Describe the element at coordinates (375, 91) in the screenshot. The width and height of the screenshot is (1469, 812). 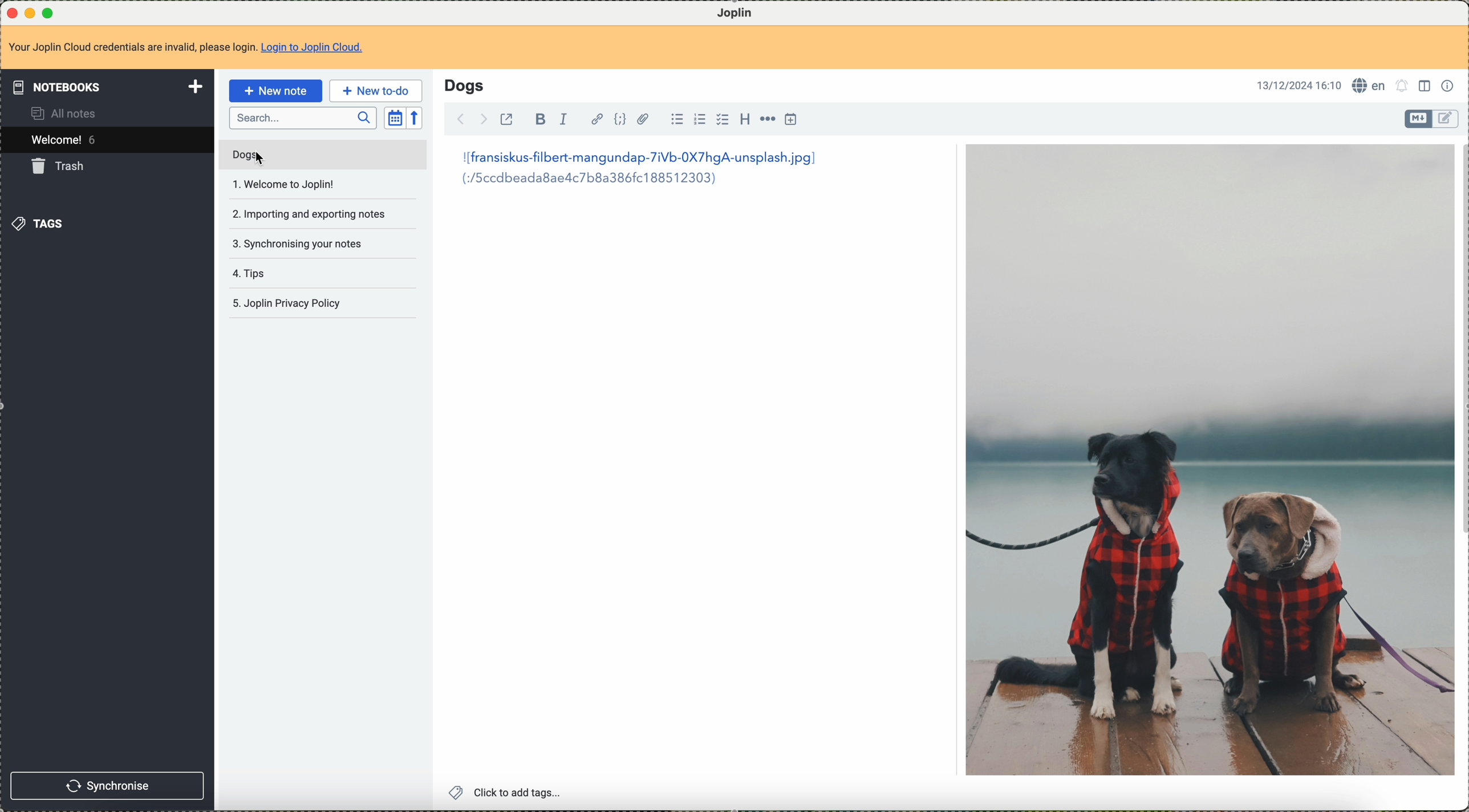
I see `new to-do` at that location.